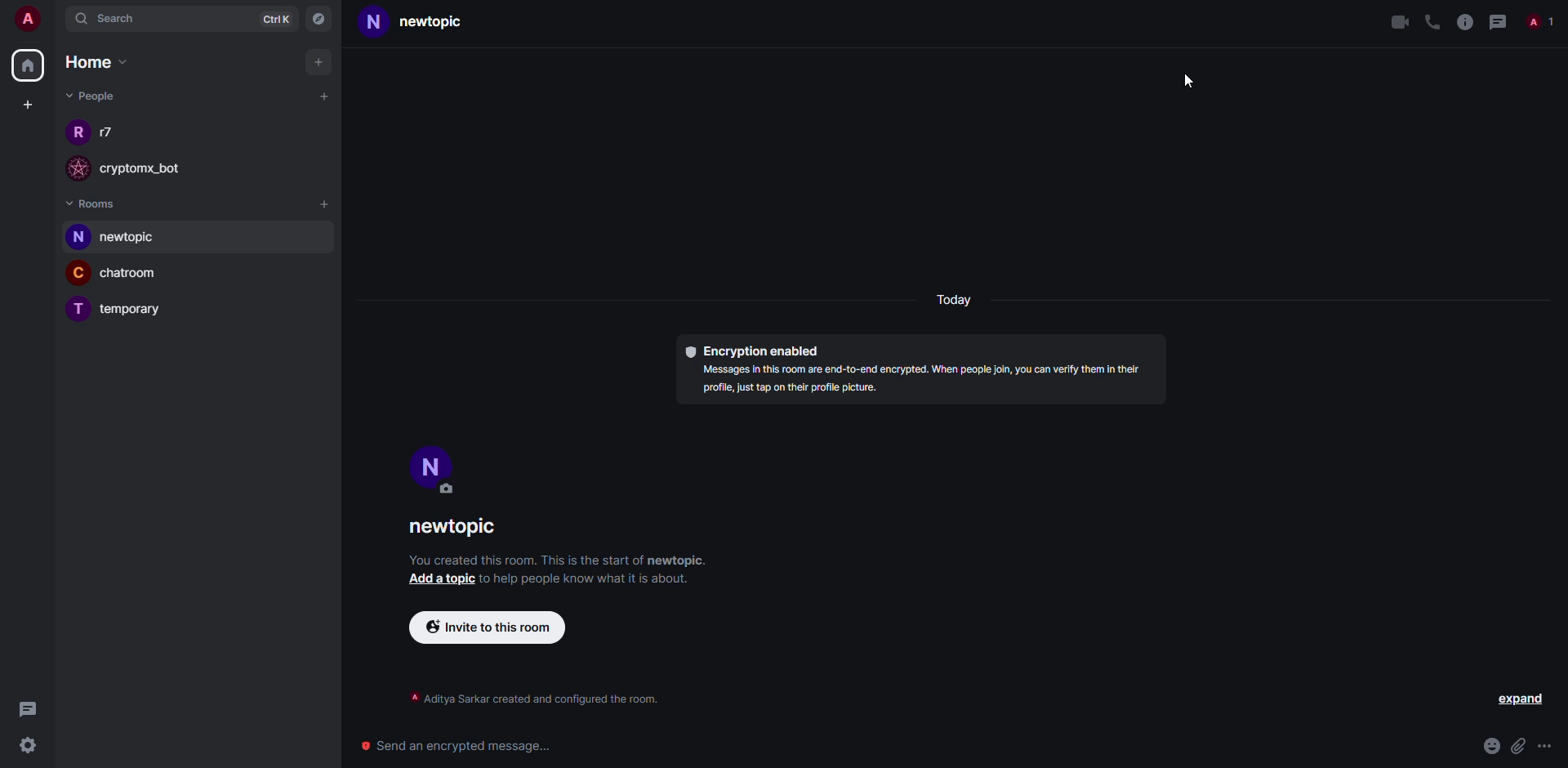 This screenshot has height=768, width=1568. Describe the element at coordinates (957, 301) in the screenshot. I see `day` at that location.